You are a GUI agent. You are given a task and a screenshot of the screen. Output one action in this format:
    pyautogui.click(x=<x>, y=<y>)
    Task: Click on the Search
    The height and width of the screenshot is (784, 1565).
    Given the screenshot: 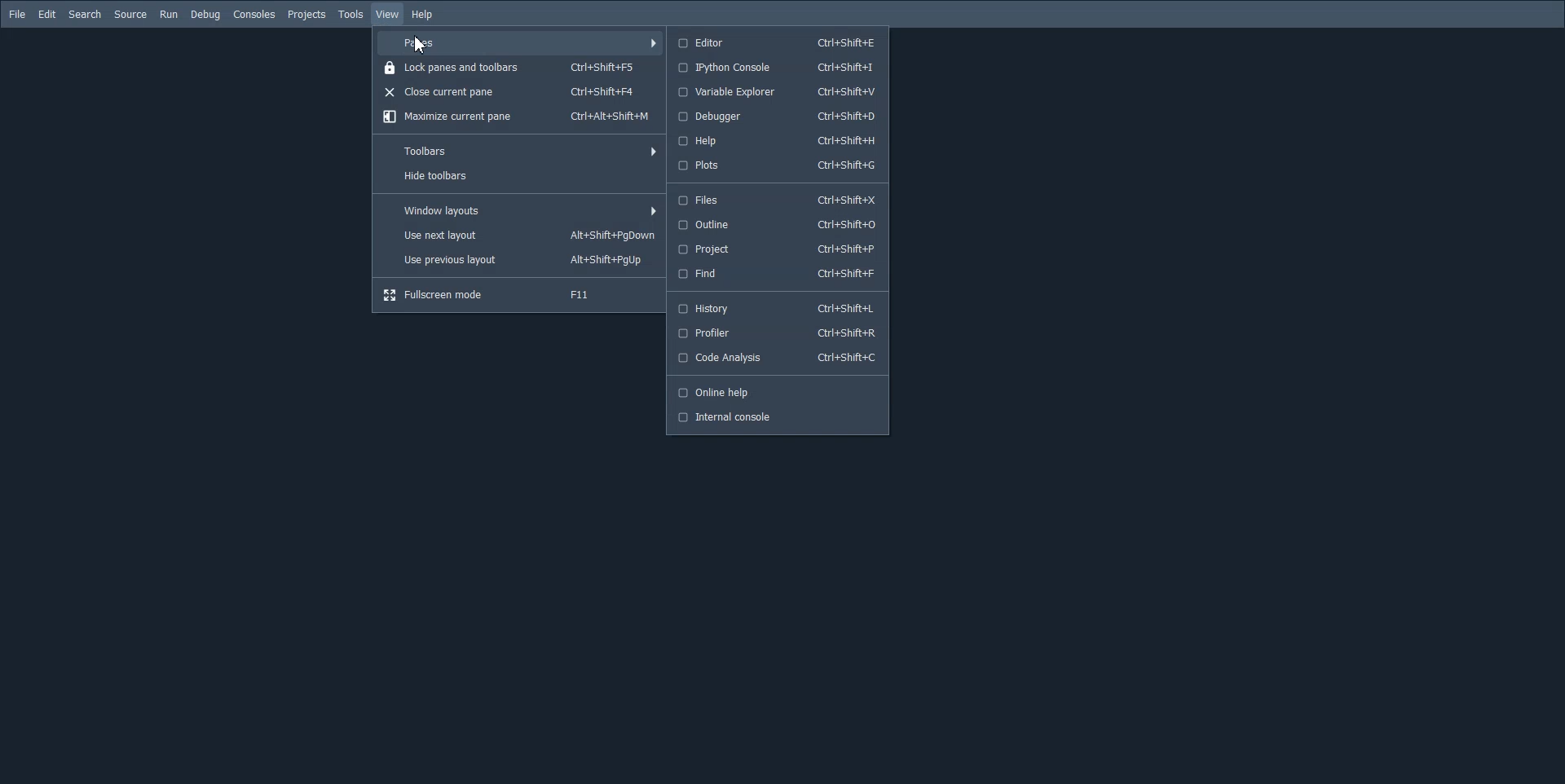 What is the action you would take?
    pyautogui.click(x=86, y=15)
    